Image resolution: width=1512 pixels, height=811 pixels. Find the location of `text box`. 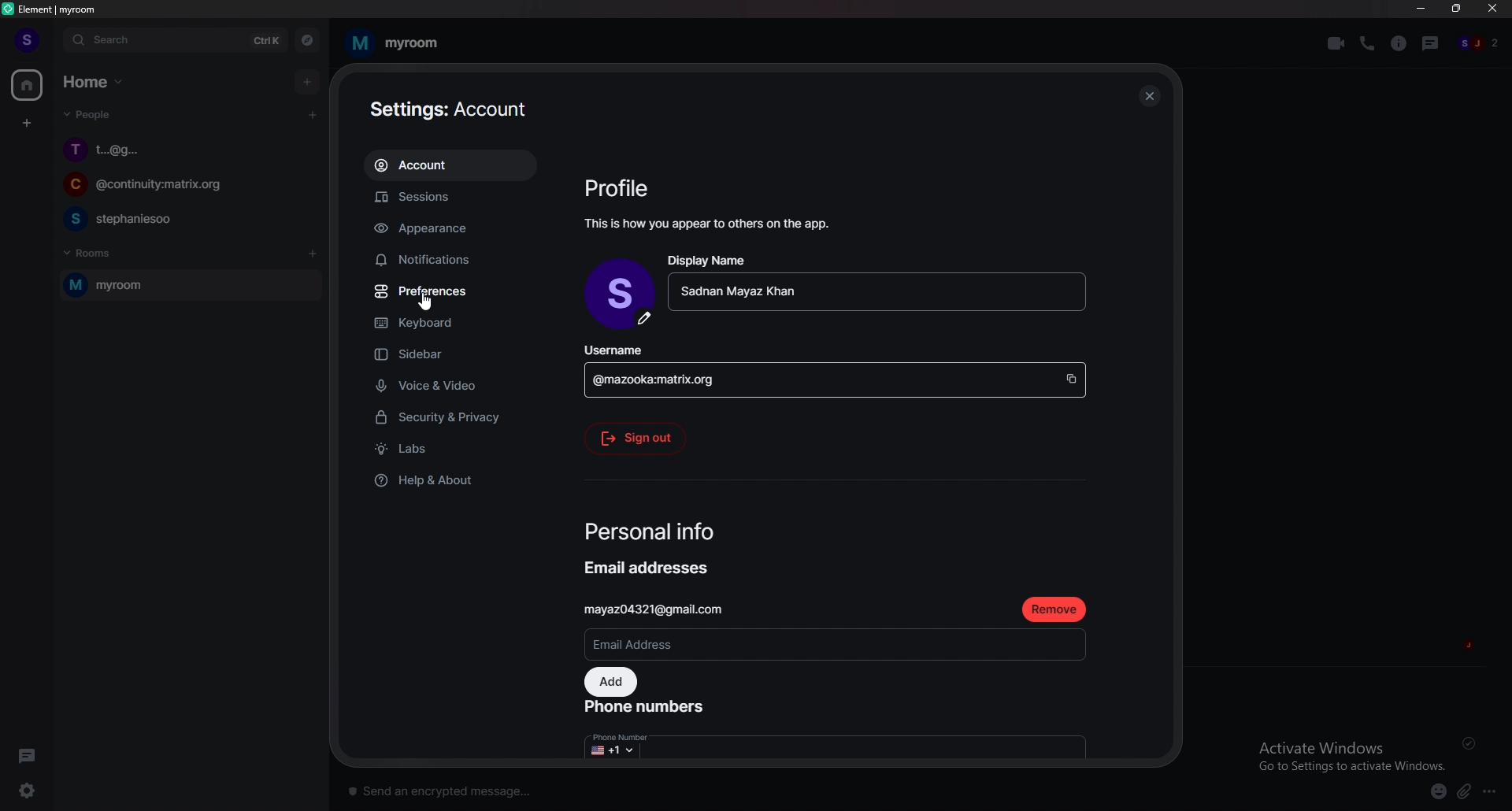

text box is located at coordinates (570, 787).